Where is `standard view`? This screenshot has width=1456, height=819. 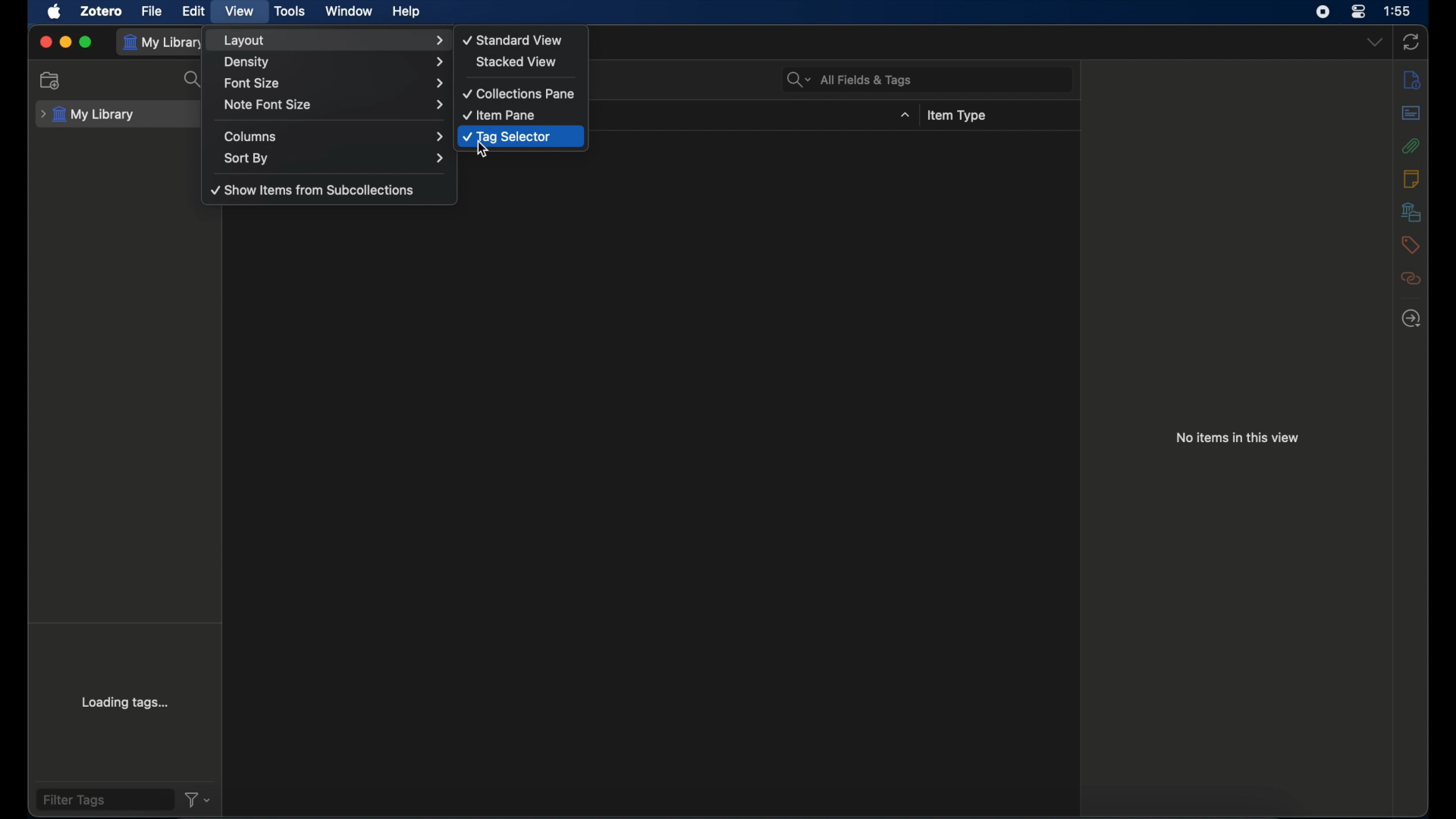
standard view is located at coordinates (513, 39).